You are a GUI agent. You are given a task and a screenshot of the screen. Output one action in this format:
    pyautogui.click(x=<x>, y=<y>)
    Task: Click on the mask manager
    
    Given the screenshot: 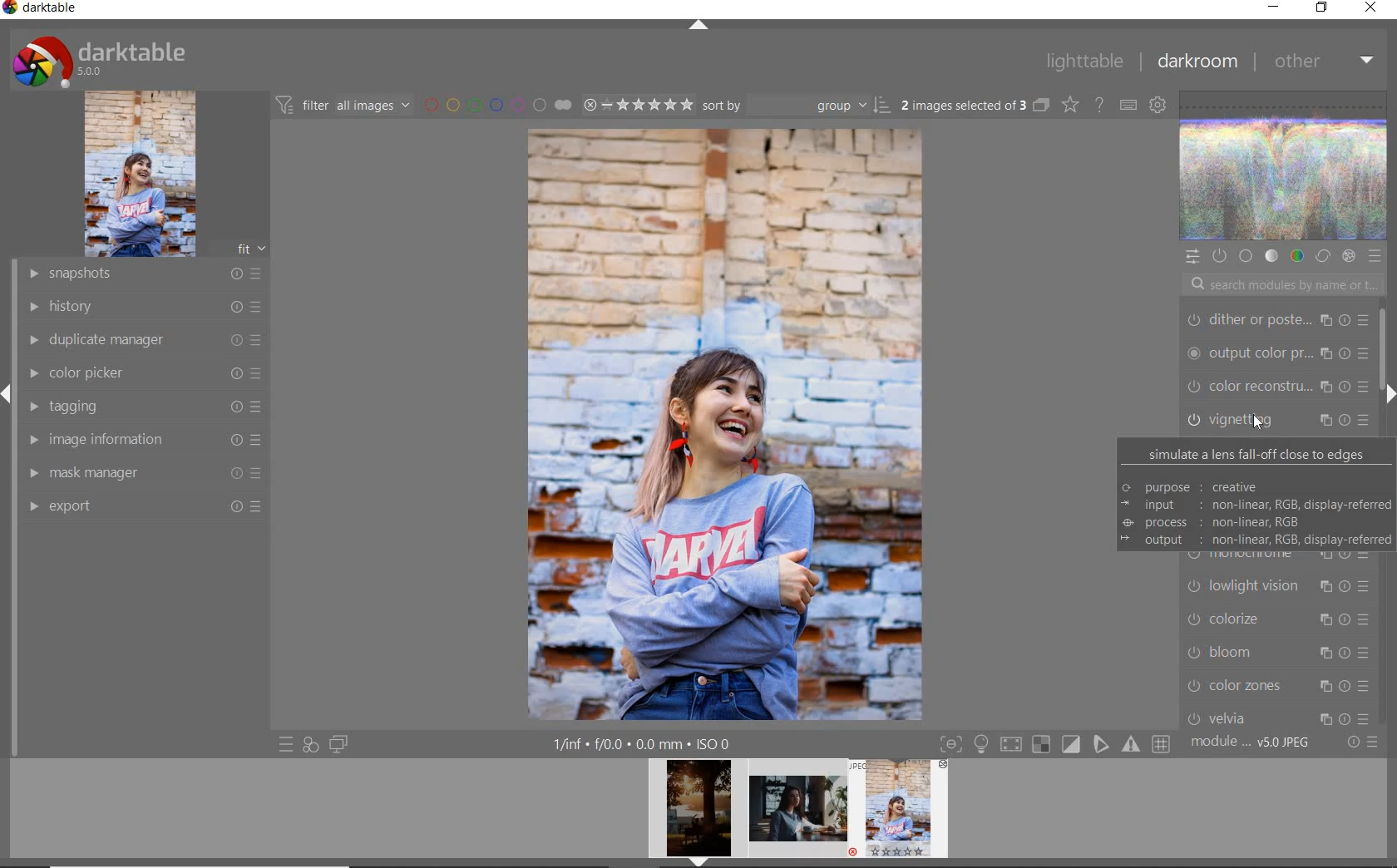 What is the action you would take?
    pyautogui.click(x=144, y=471)
    